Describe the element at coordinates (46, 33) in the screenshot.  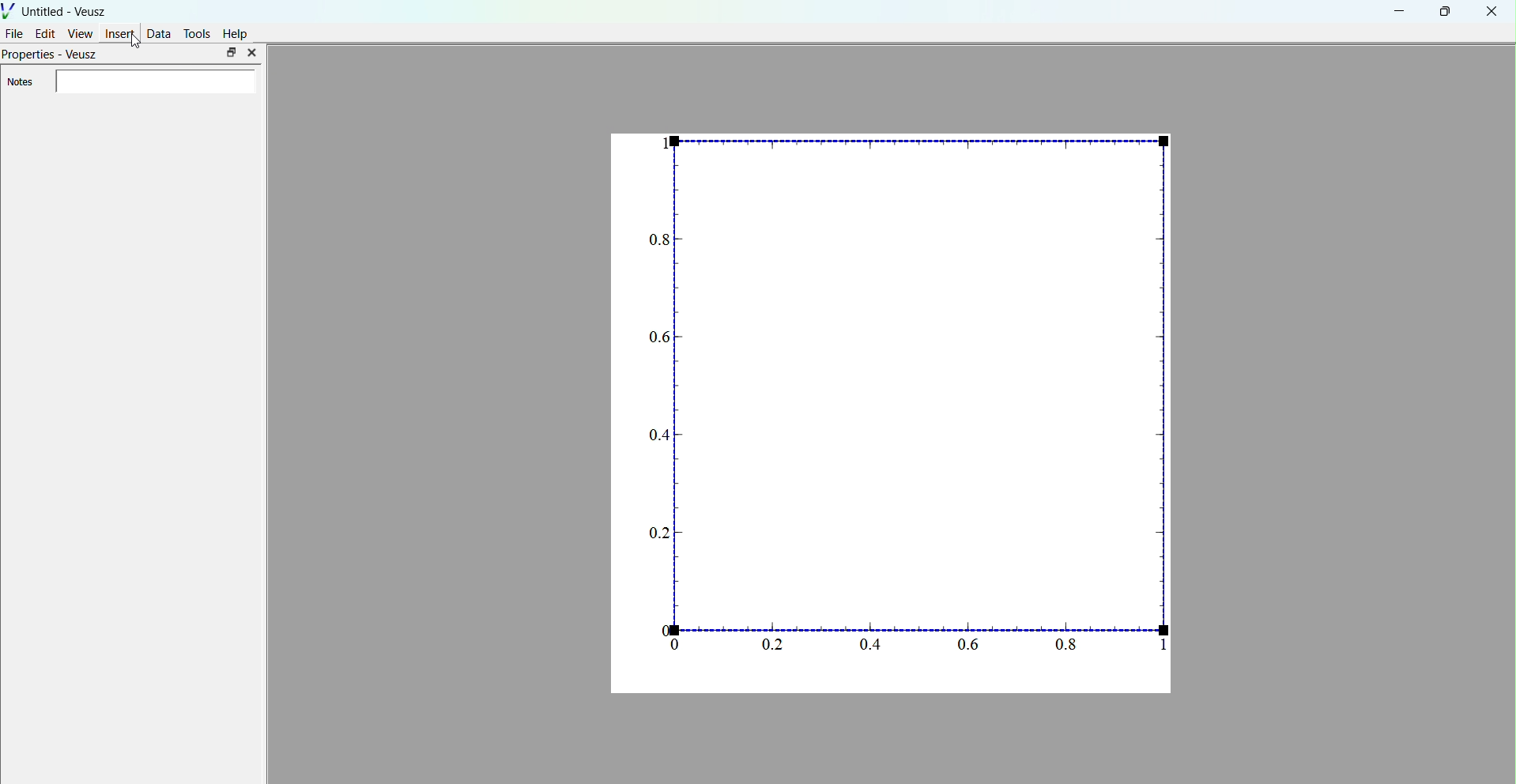
I see `Edit` at that location.